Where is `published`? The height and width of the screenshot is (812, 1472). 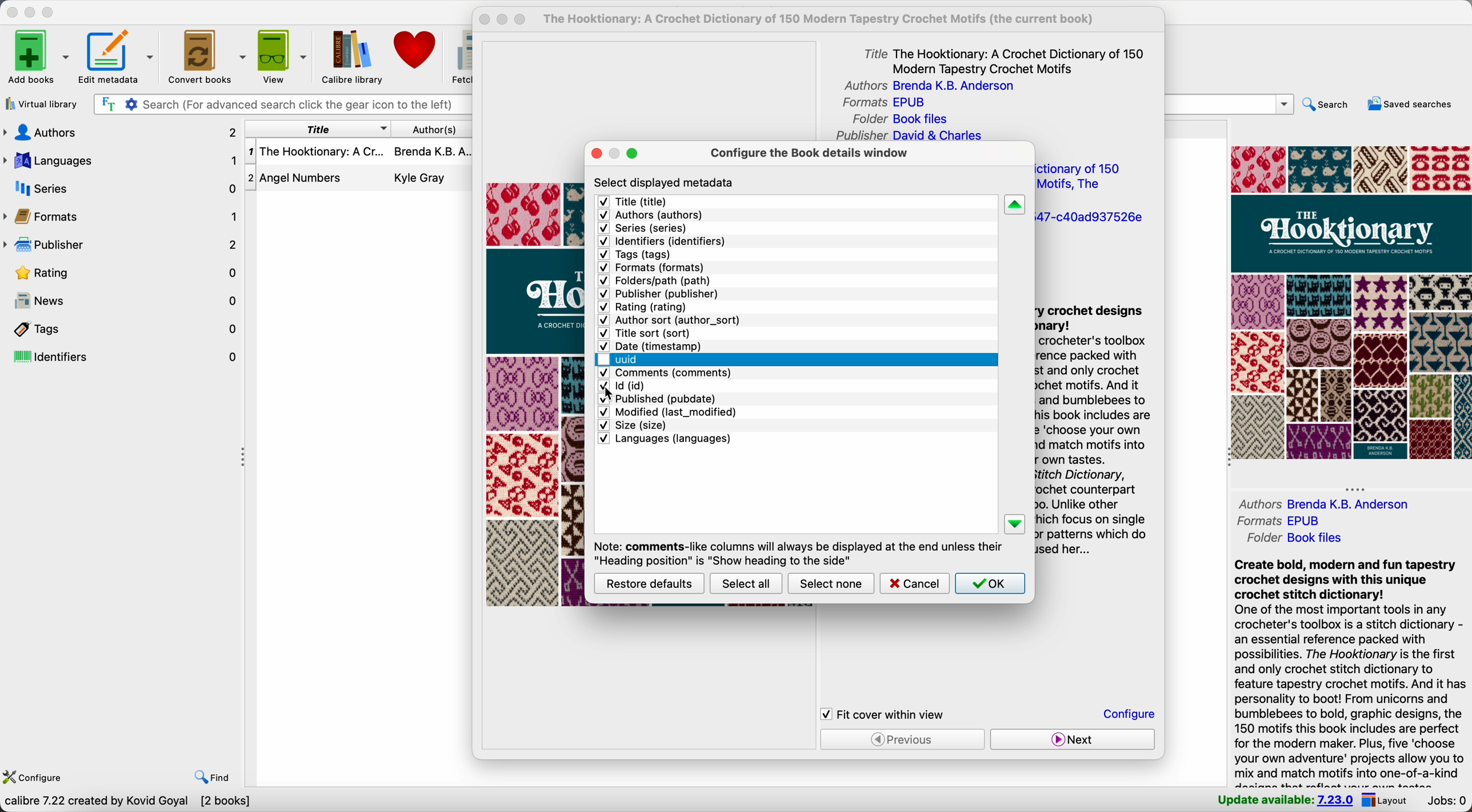
published is located at coordinates (659, 398).